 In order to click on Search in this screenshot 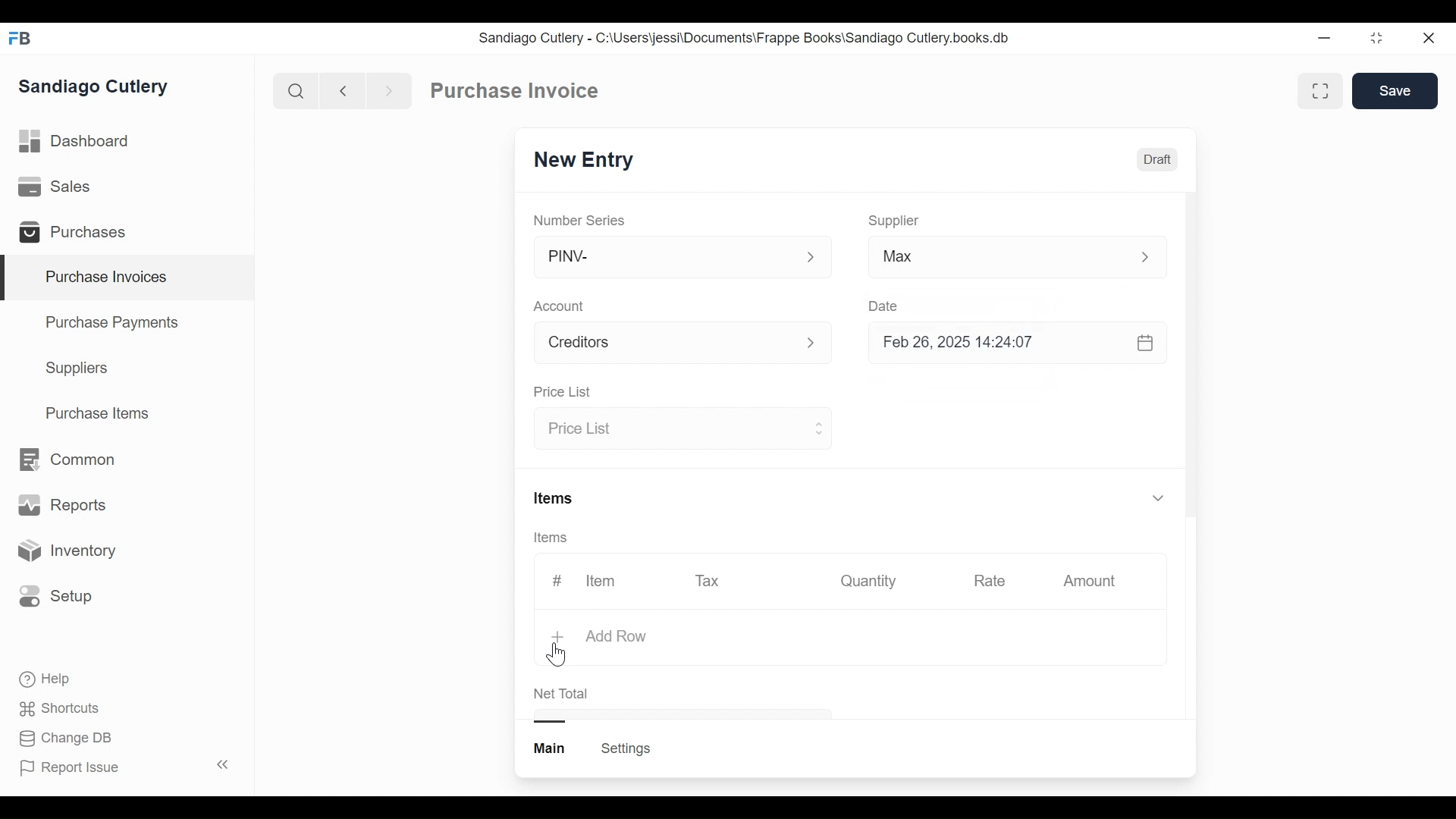, I will do `click(296, 90)`.